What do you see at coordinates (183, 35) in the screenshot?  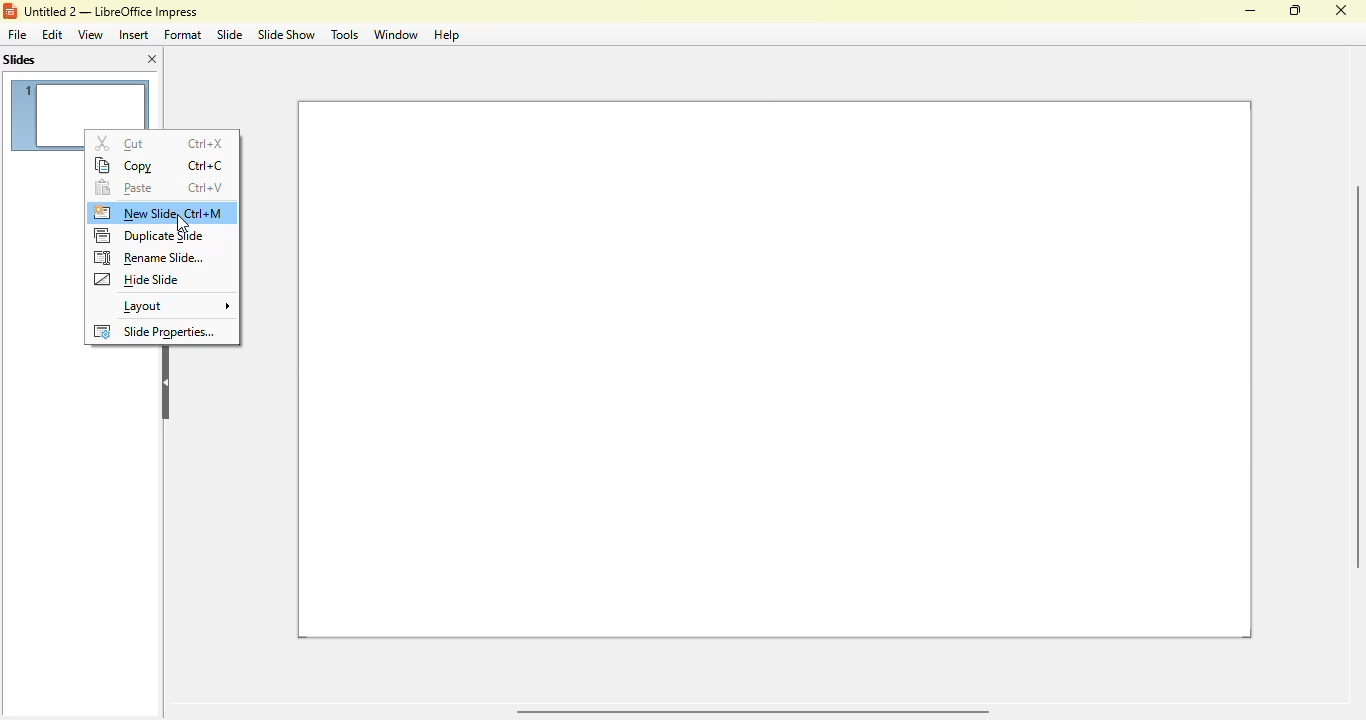 I see `format` at bounding box center [183, 35].